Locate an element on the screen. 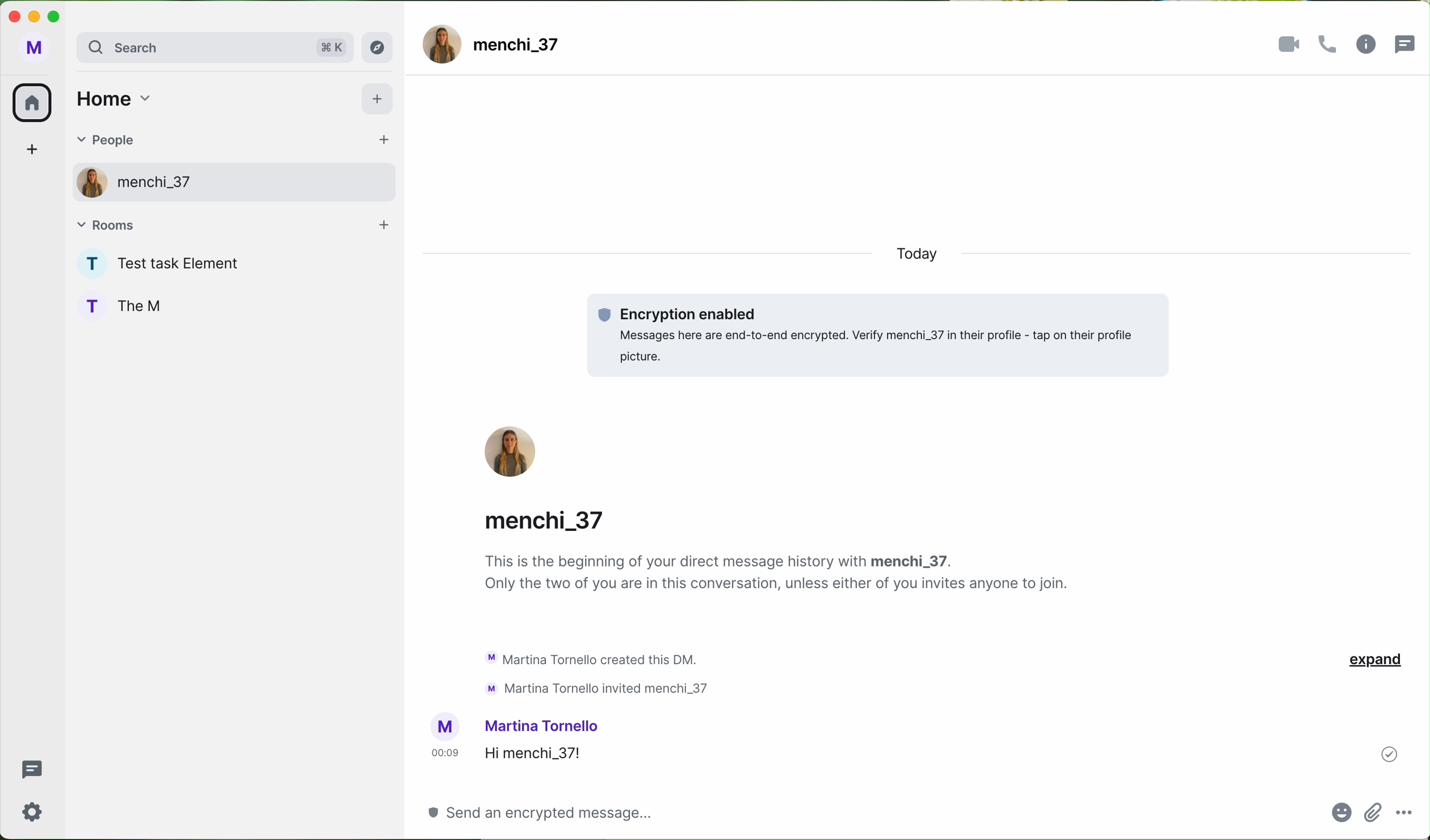 The image size is (1430, 840). profile is located at coordinates (88, 264).